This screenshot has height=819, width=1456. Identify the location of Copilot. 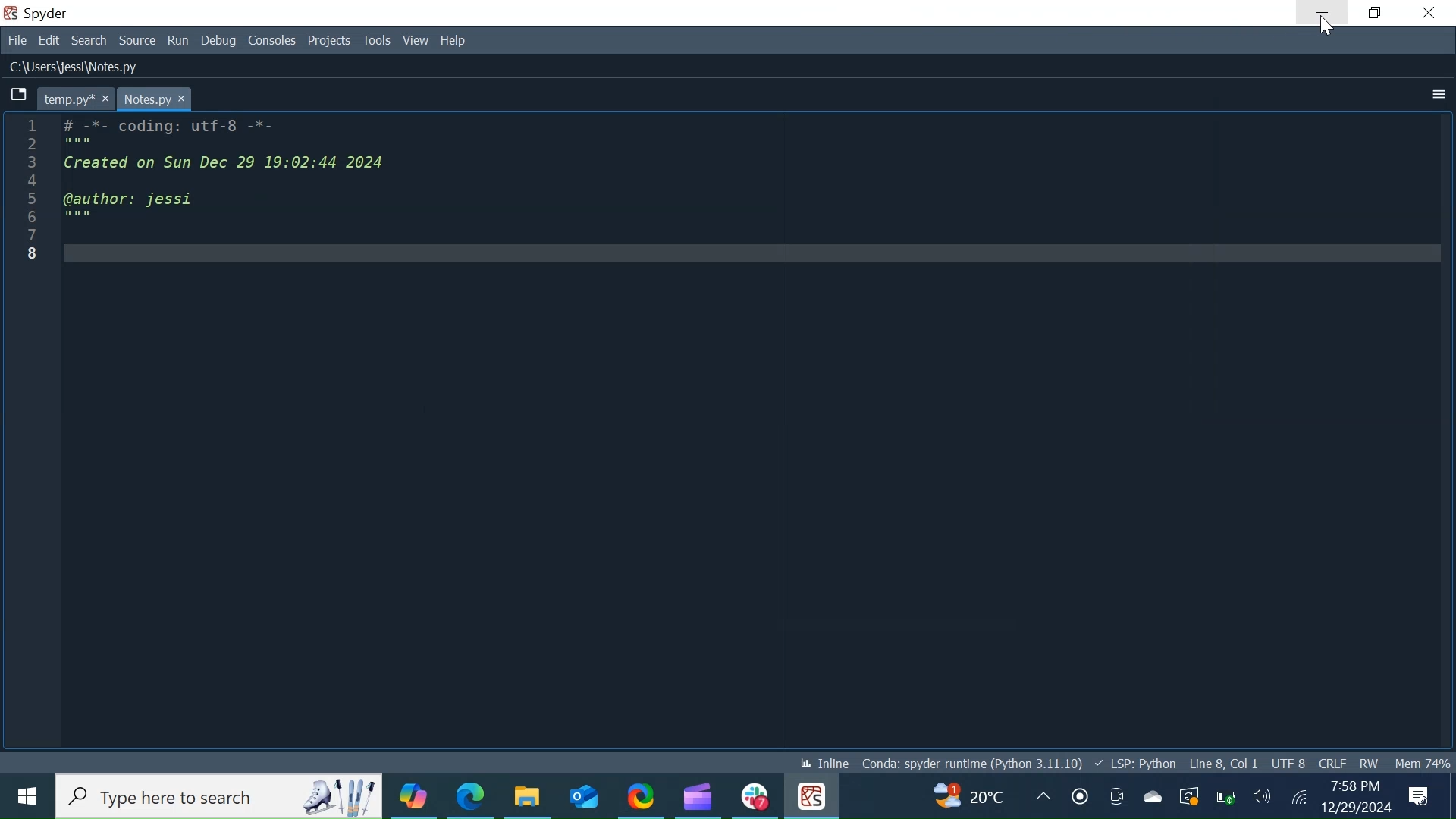
(415, 795).